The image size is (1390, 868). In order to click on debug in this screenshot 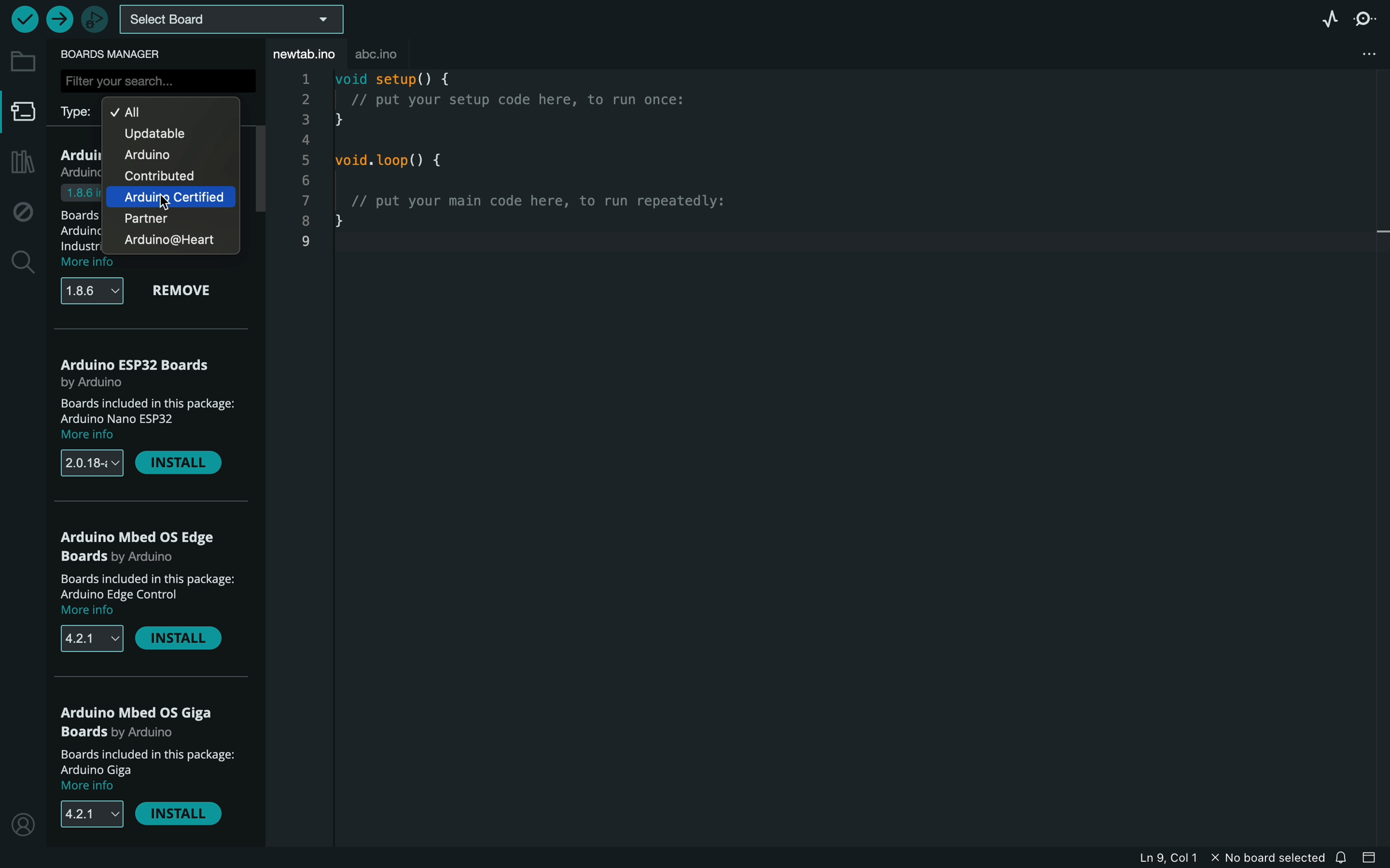, I will do `click(20, 208)`.